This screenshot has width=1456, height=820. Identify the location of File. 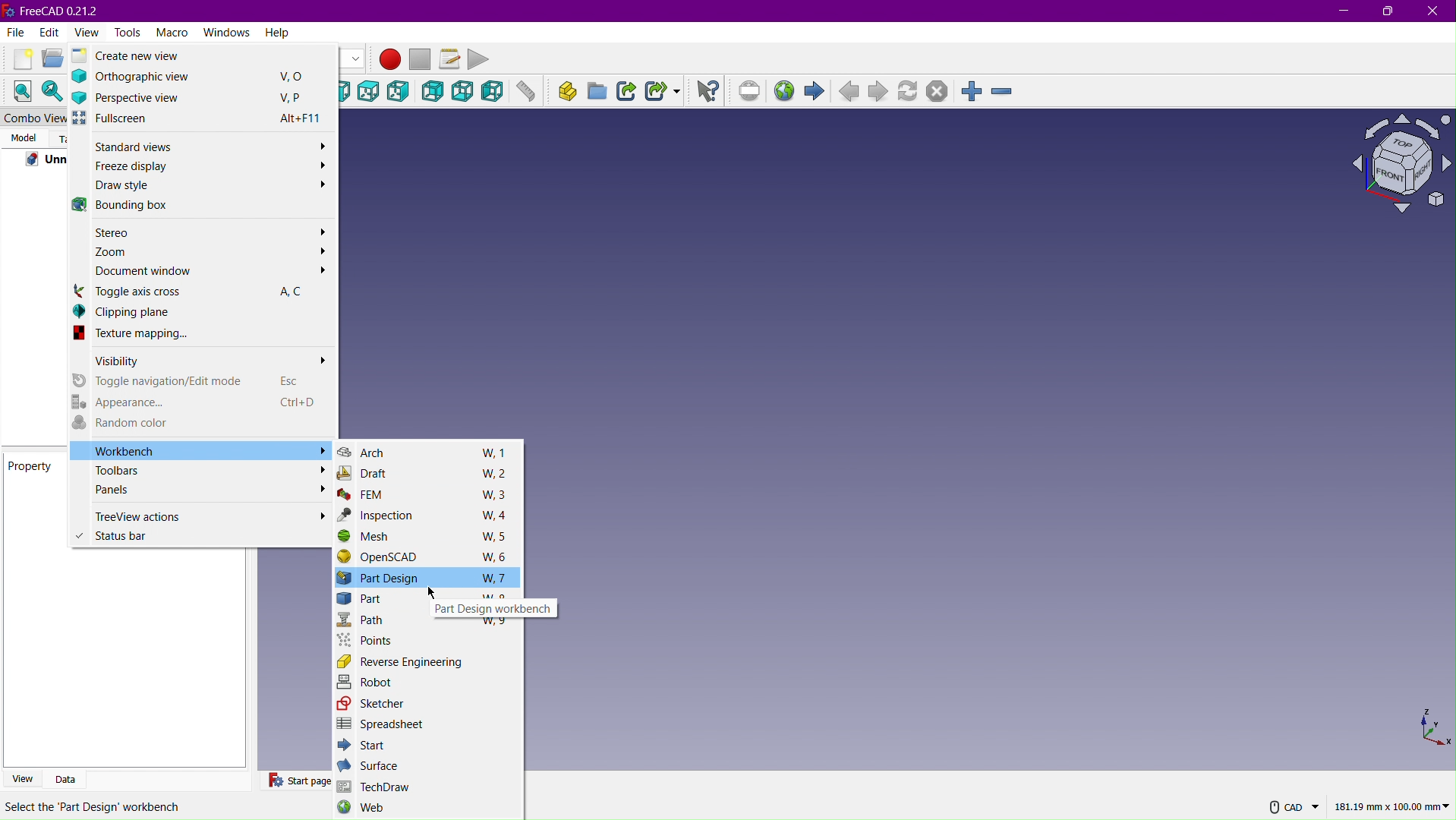
(14, 33).